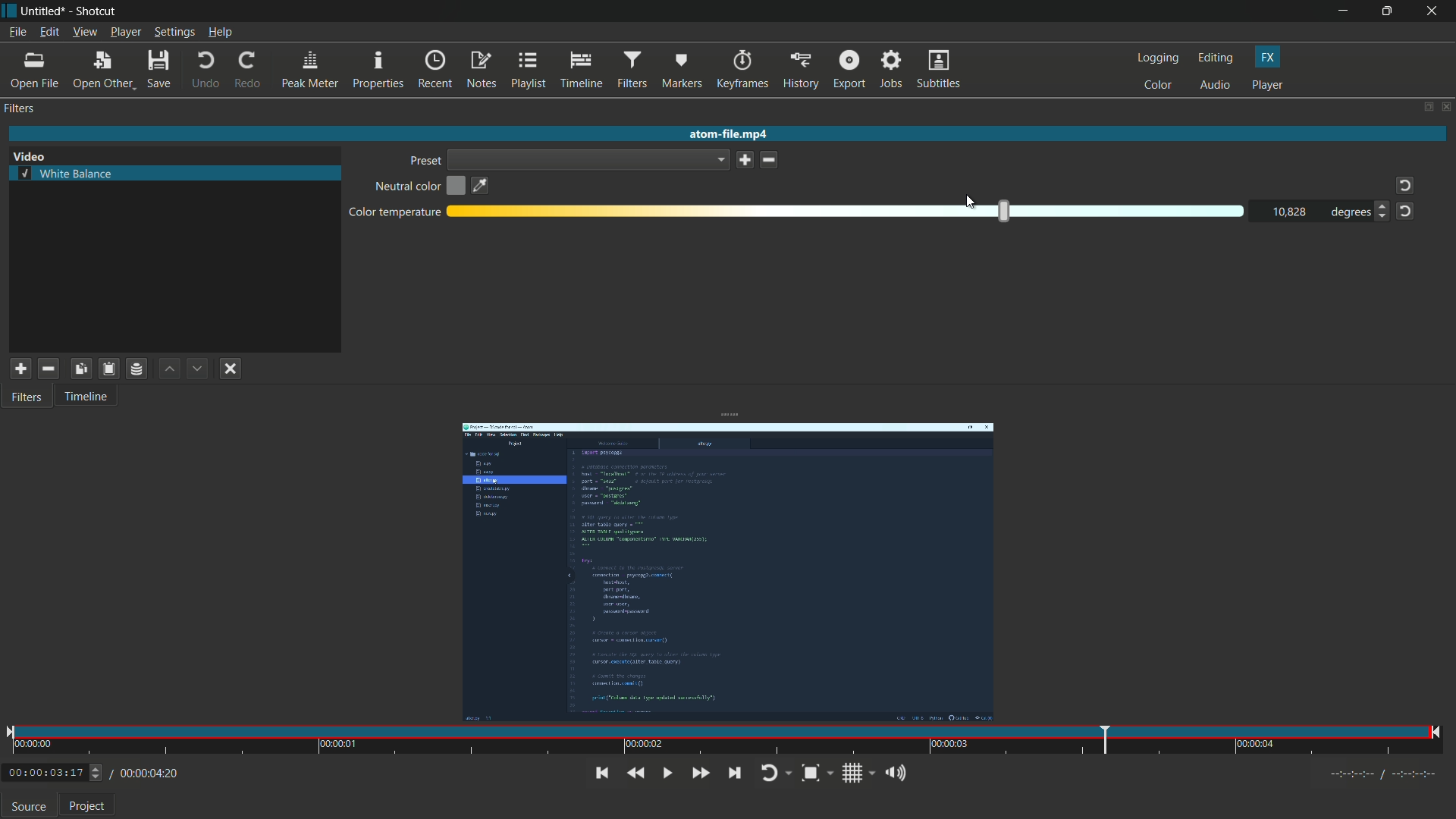 Image resolution: width=1456 pixels, height=819 pixels. I want to click on shotcut, so click(97, 11).